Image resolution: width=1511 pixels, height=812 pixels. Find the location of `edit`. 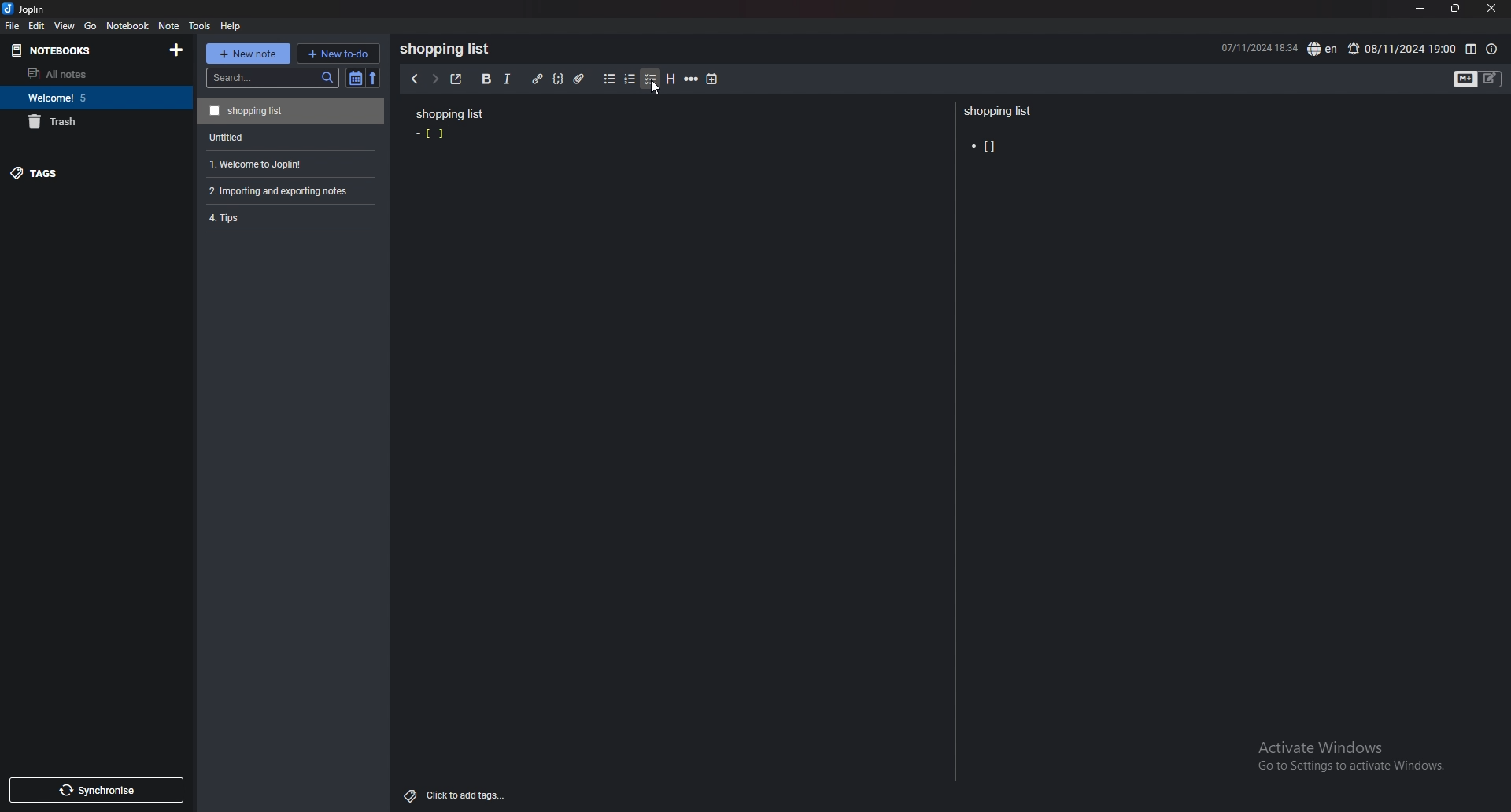

edit is located at coordinates (37, 25).